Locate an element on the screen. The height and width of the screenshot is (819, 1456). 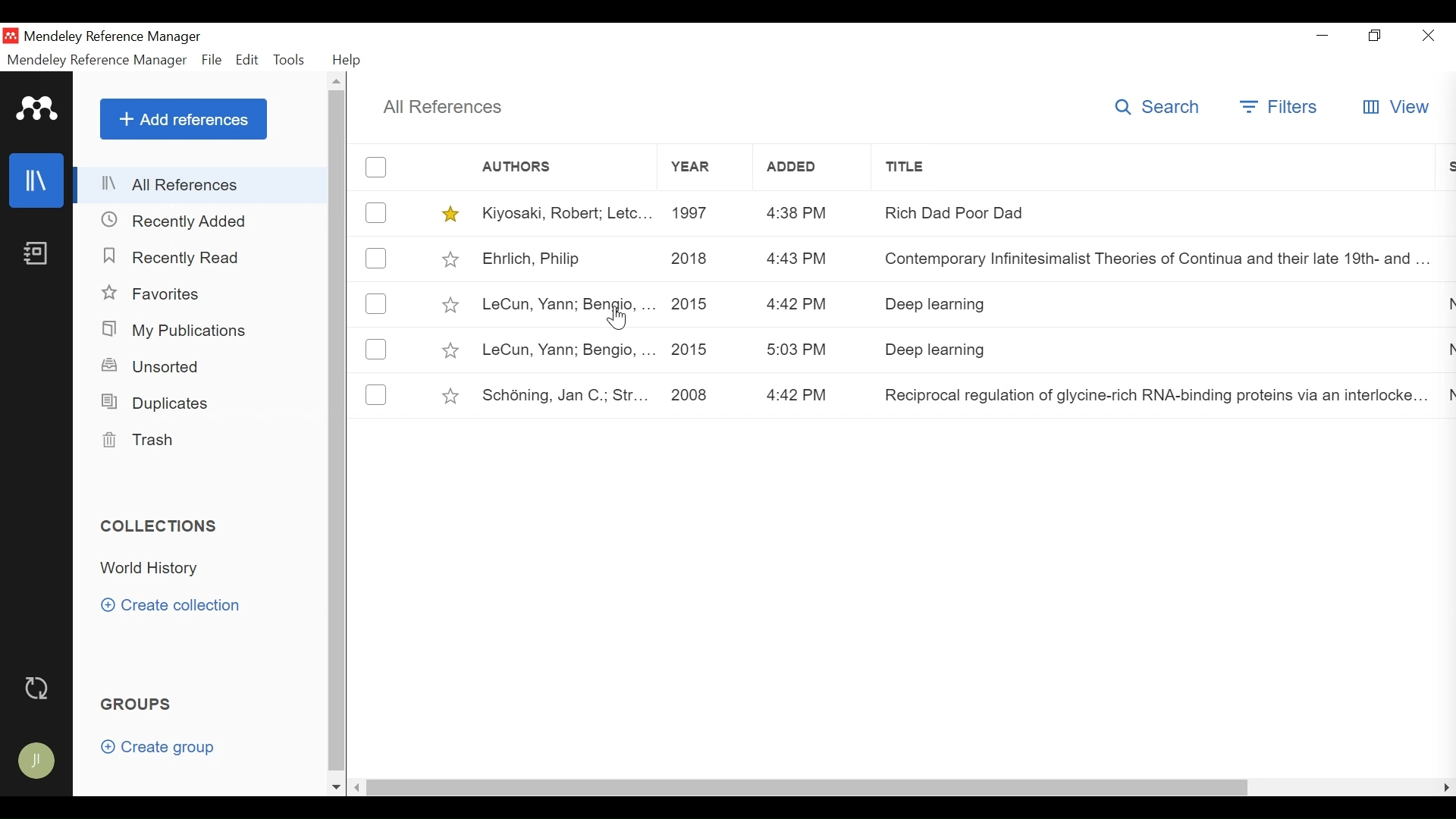
LeCun, Yann; Bengio is located at coordinates (567, 350).